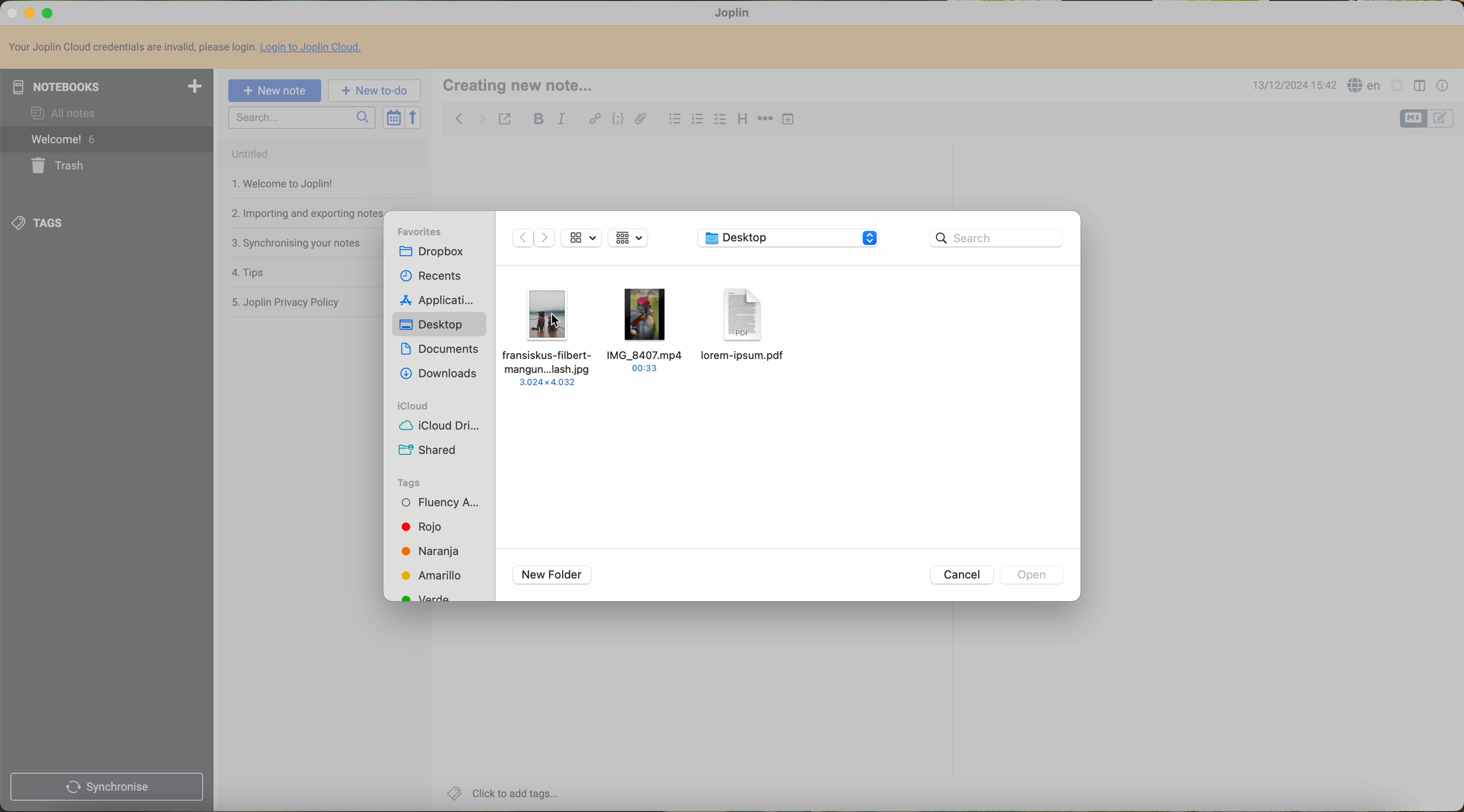 The height and width of the screenshot is (812, 1464). Describe the element at coordinates (505, 120) in the screenshot. I see `toggle external editing` at that location.